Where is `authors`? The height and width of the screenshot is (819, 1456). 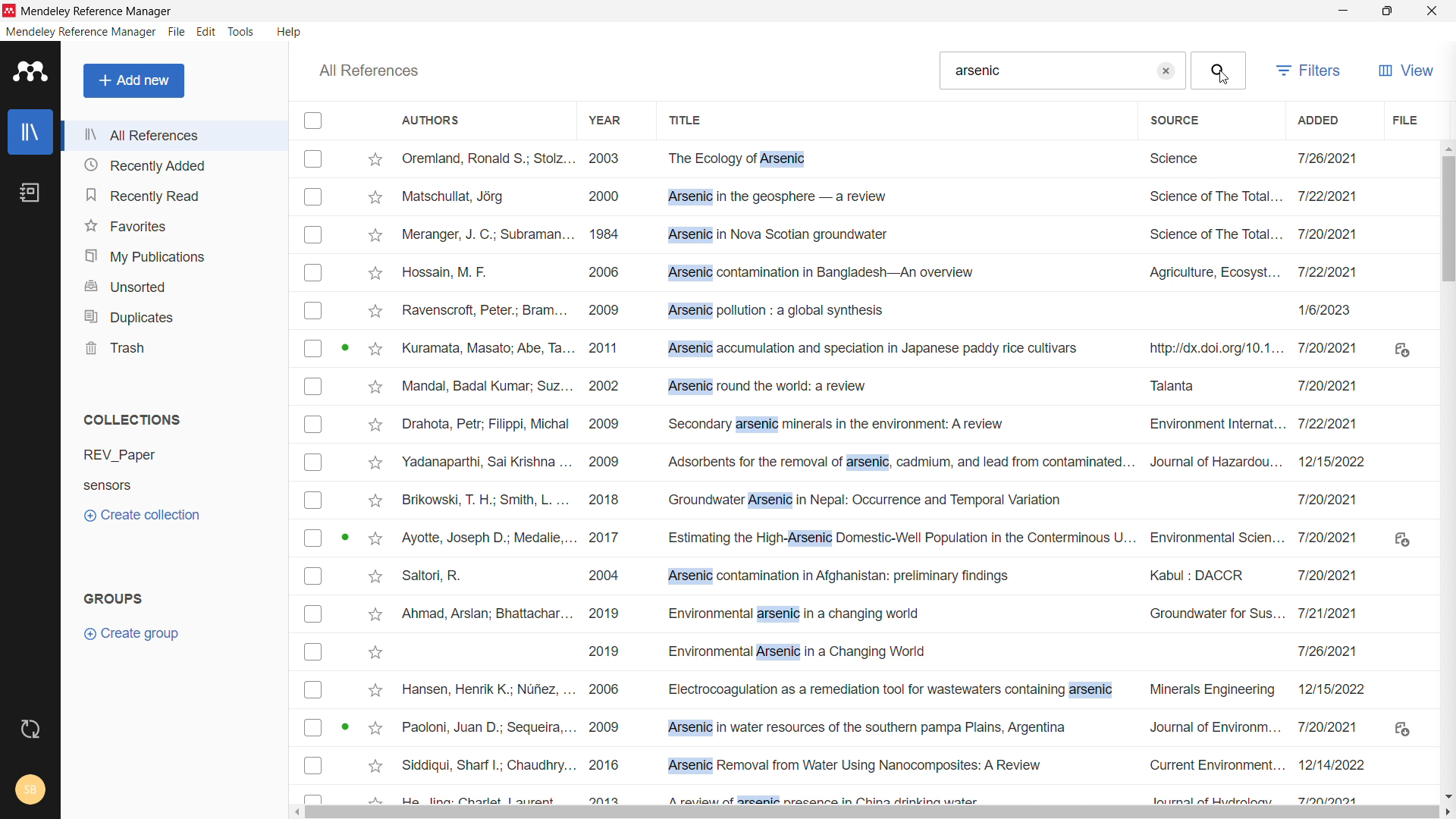 authors is located at coordinates (452, 121).